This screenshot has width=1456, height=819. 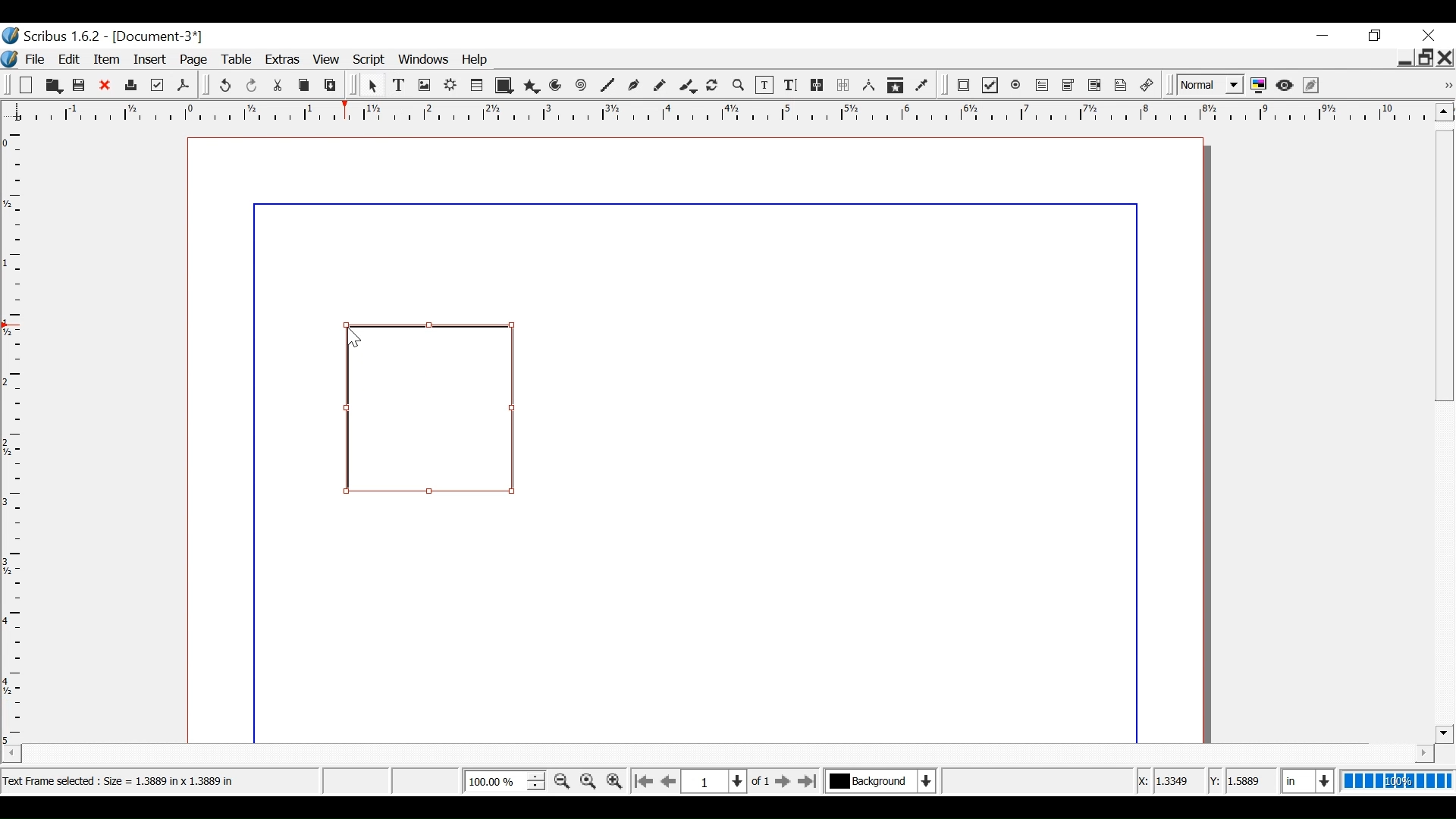 What do you see at coordinates (52, 36) in the screenshot?
I see `Scribus version` at bounding box center [52, 36].